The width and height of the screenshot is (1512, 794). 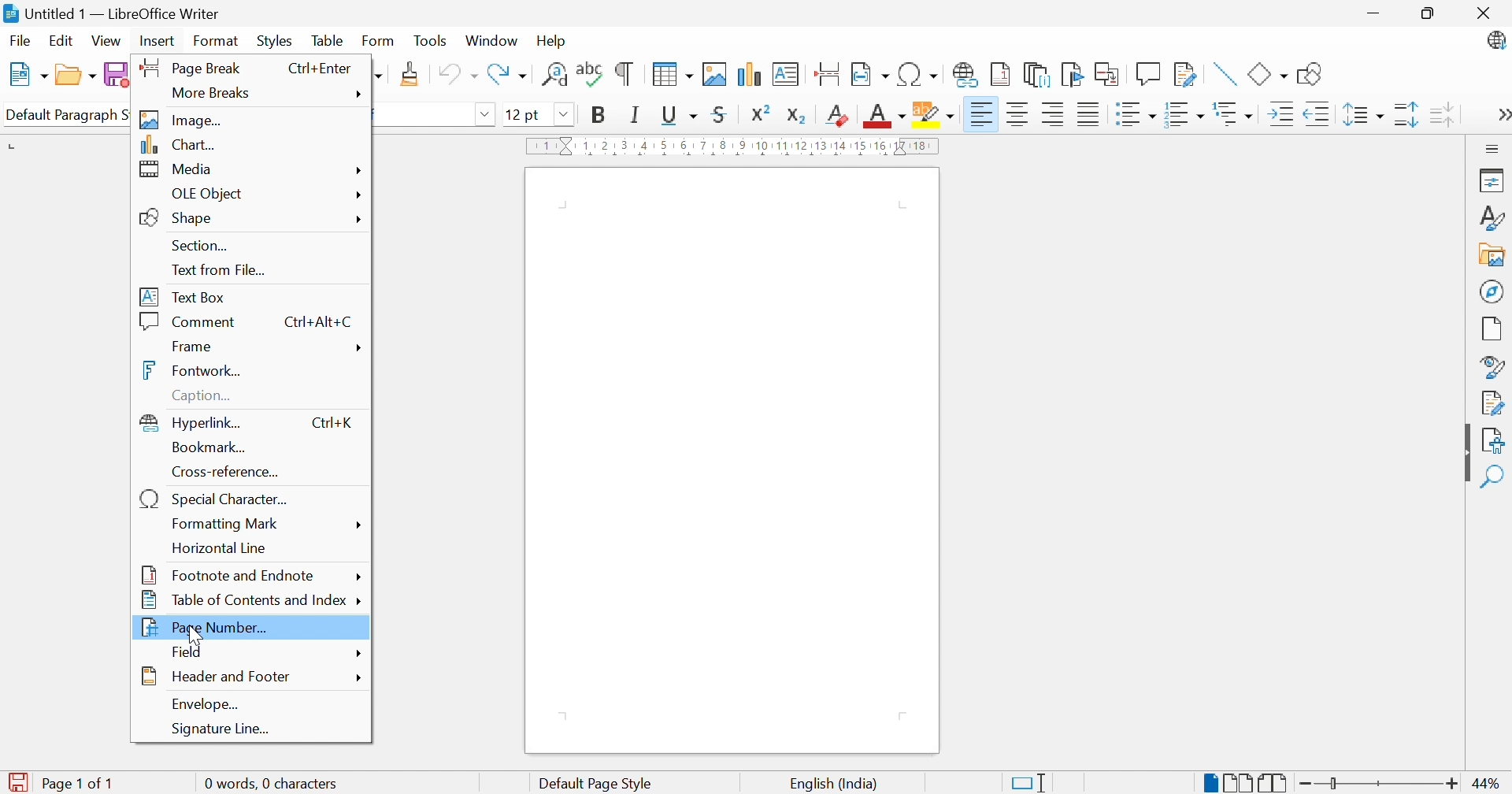 I want to click on subscript, so click(x=798, y=114).